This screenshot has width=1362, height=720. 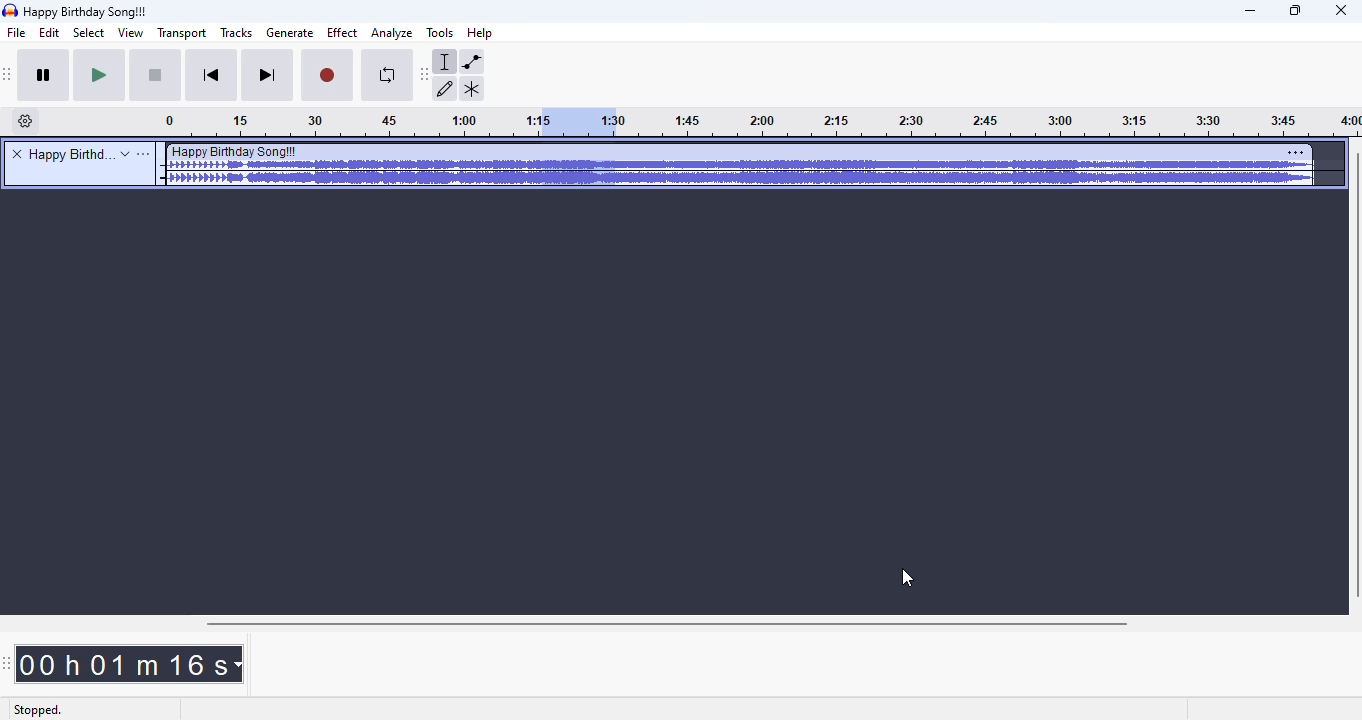 I want to click on settings, so click(x=1296, y=152).